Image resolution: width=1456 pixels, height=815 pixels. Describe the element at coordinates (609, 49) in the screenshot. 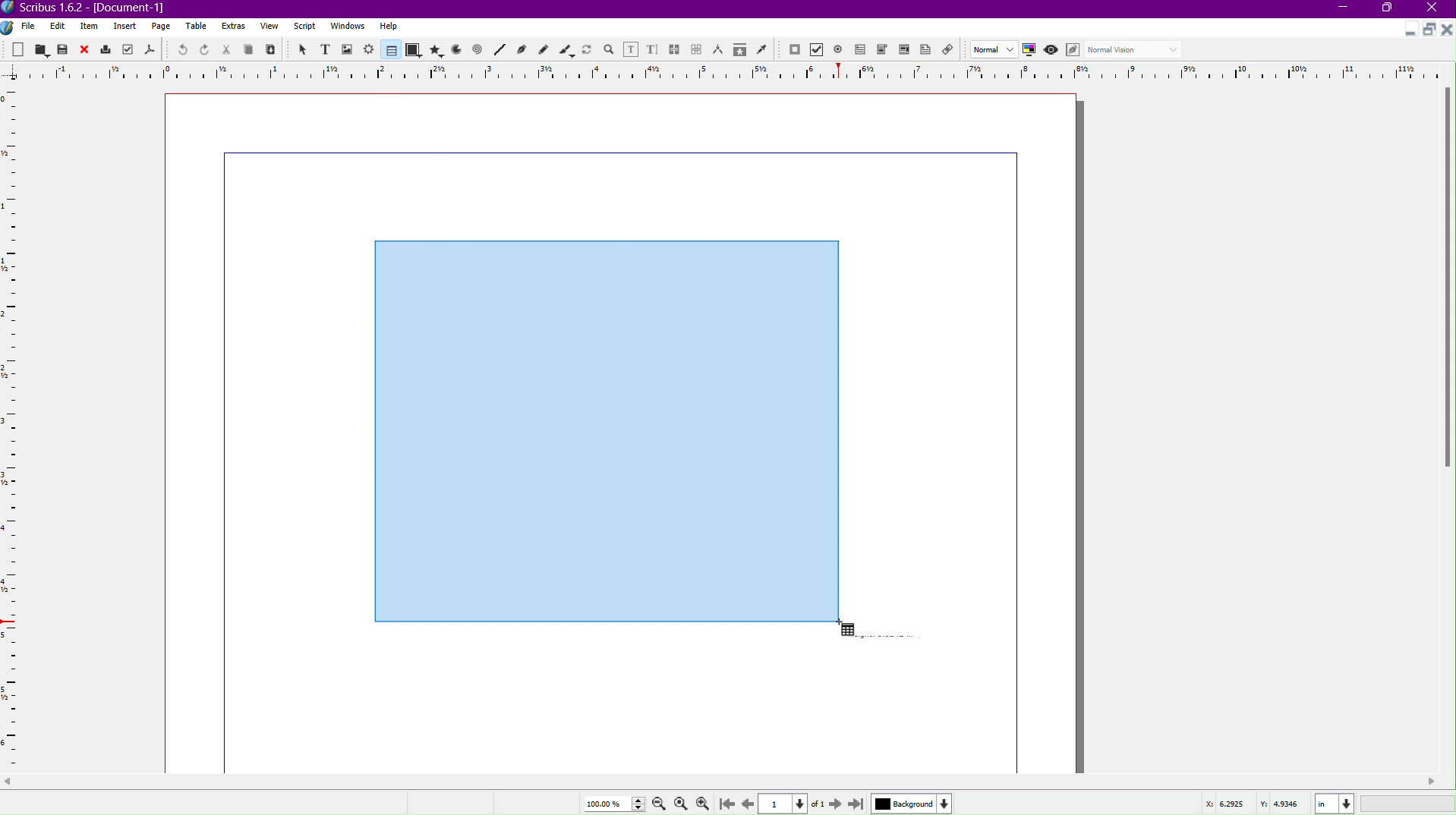

I see `Zoom in or out` at that location.